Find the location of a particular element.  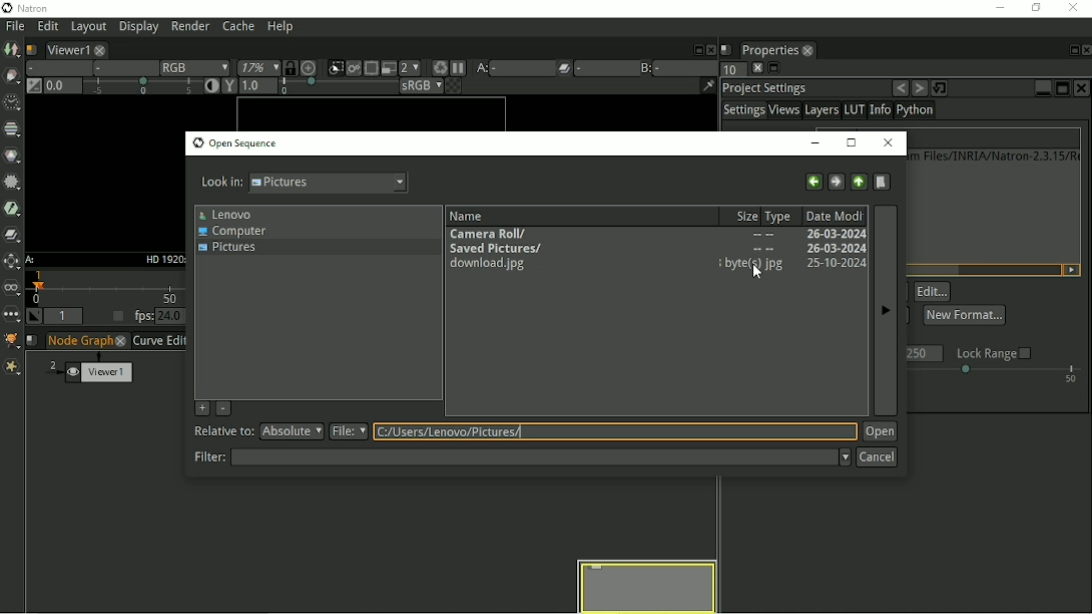

Set playback frame is located at coordinates (115, 317).